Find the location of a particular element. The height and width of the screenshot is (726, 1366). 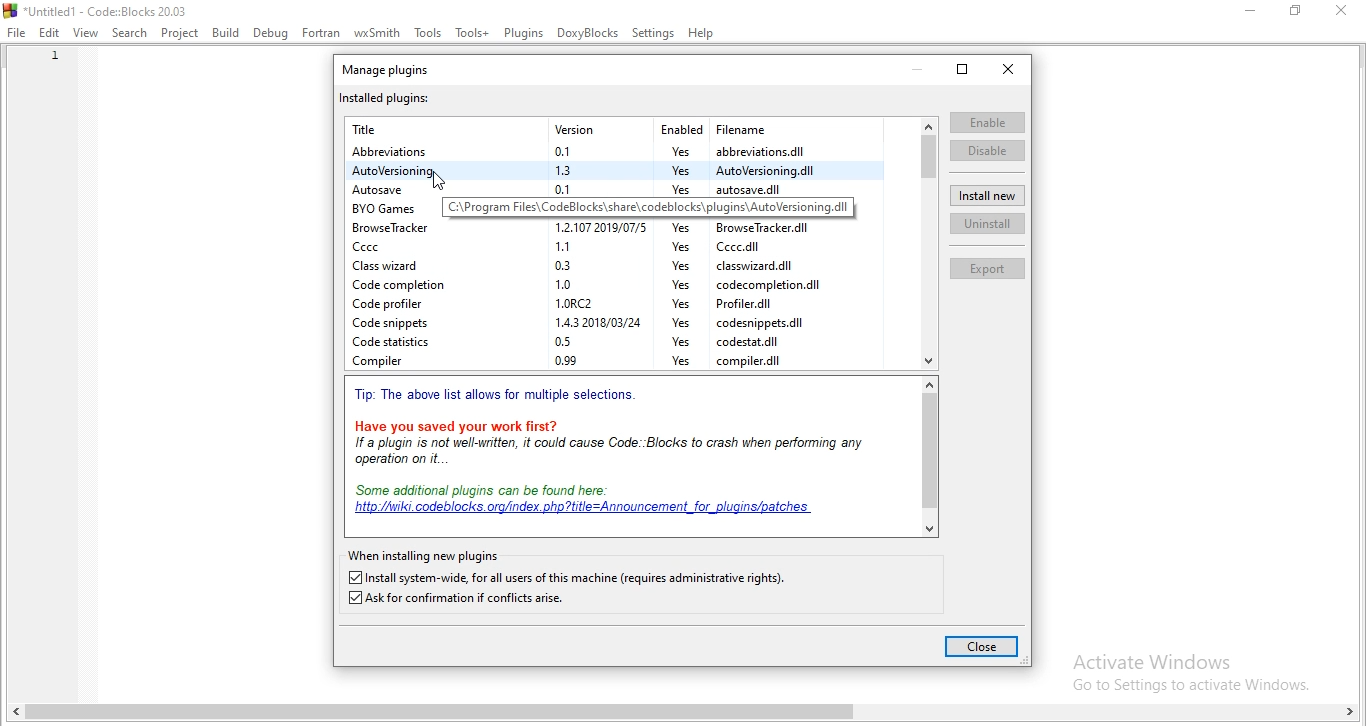

scroll bar is located at coordinates (927, 455).